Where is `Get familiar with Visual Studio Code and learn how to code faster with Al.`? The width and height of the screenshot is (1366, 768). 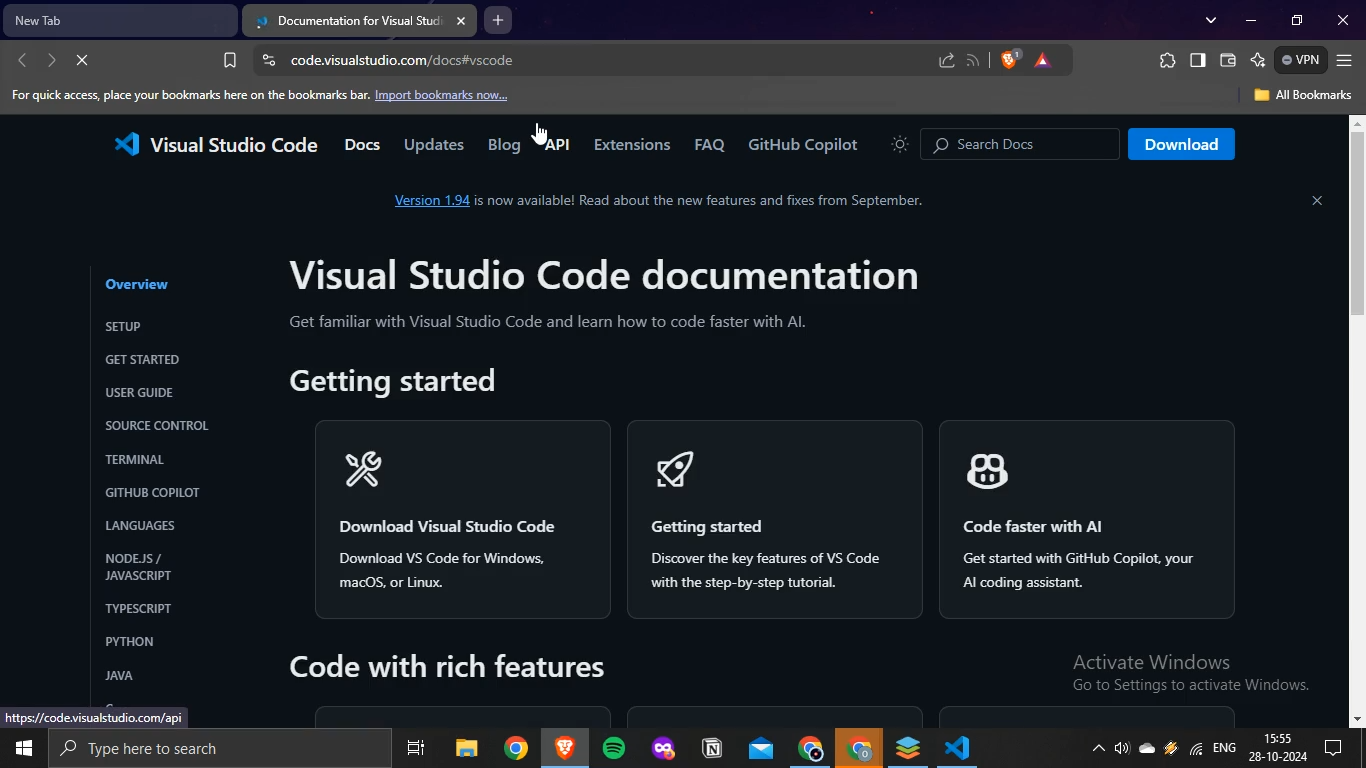
Get familiar with Visual Studio Code and learn how to code faster with Al. is located at coordinates (550, 323).